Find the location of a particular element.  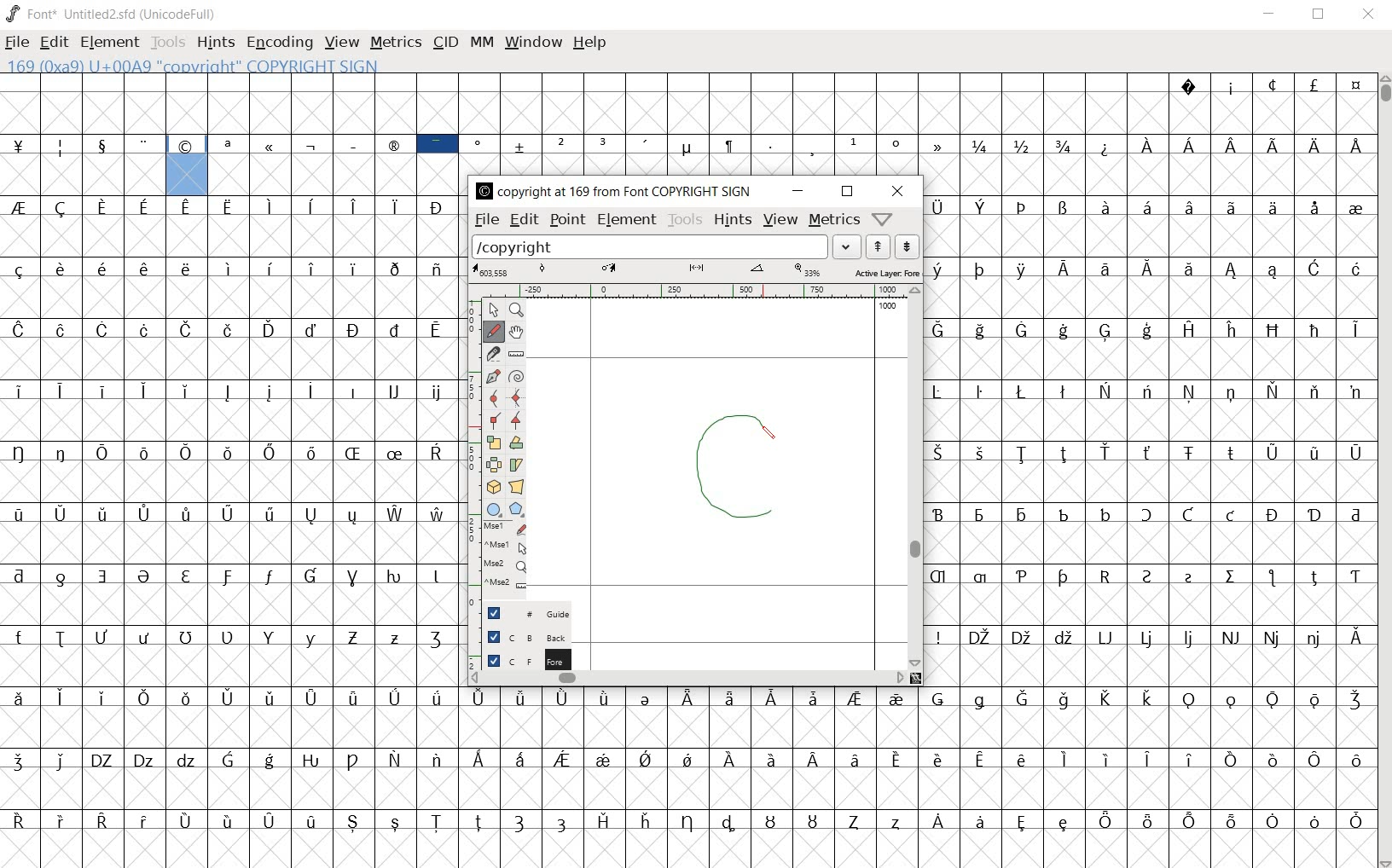

designing copyright glyph is located at coordinates (745, 461).